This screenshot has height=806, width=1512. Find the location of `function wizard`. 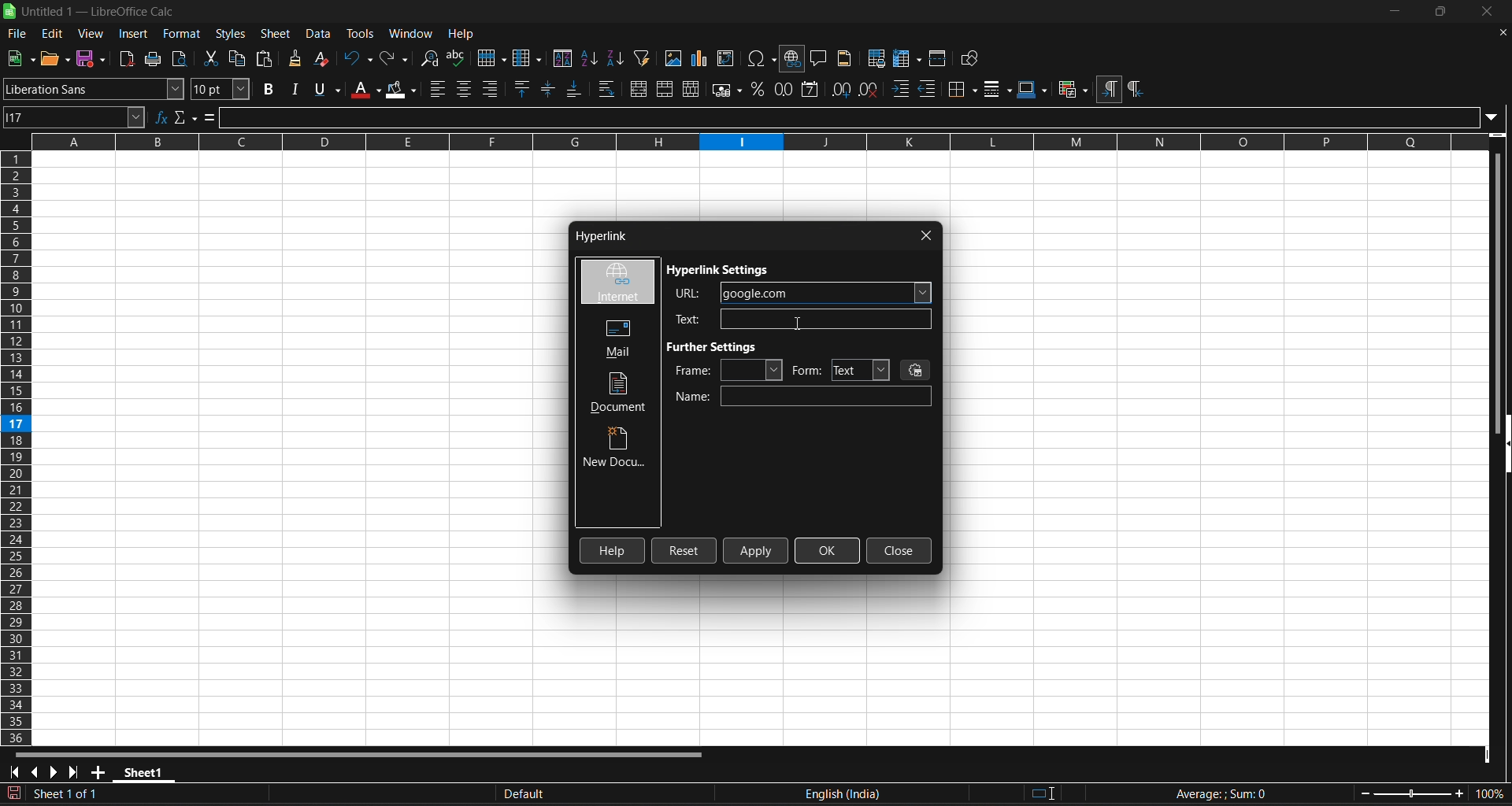

function wizard is located at coordinates (162, 117).